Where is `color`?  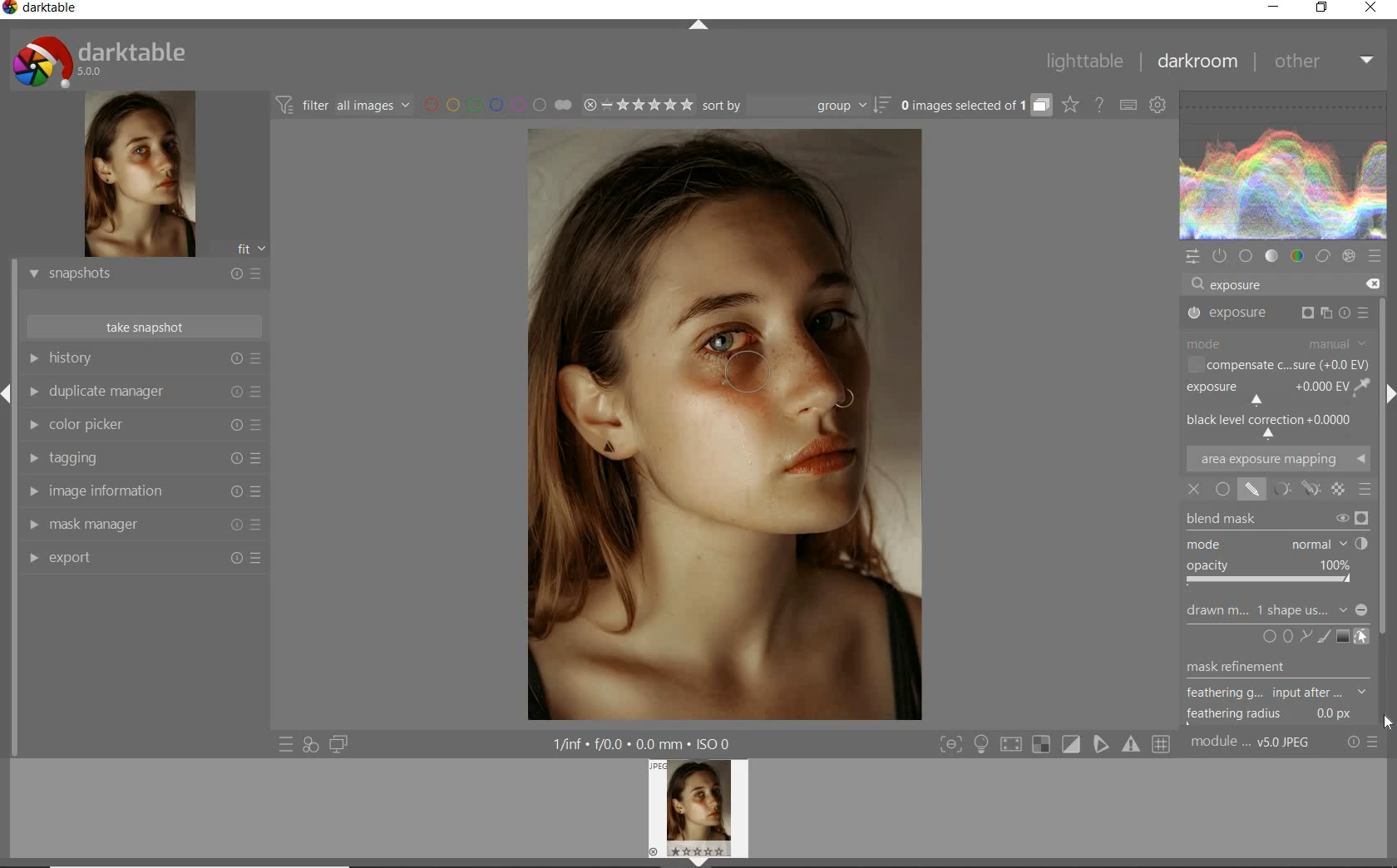 color is located at coordinates (1298, 255).